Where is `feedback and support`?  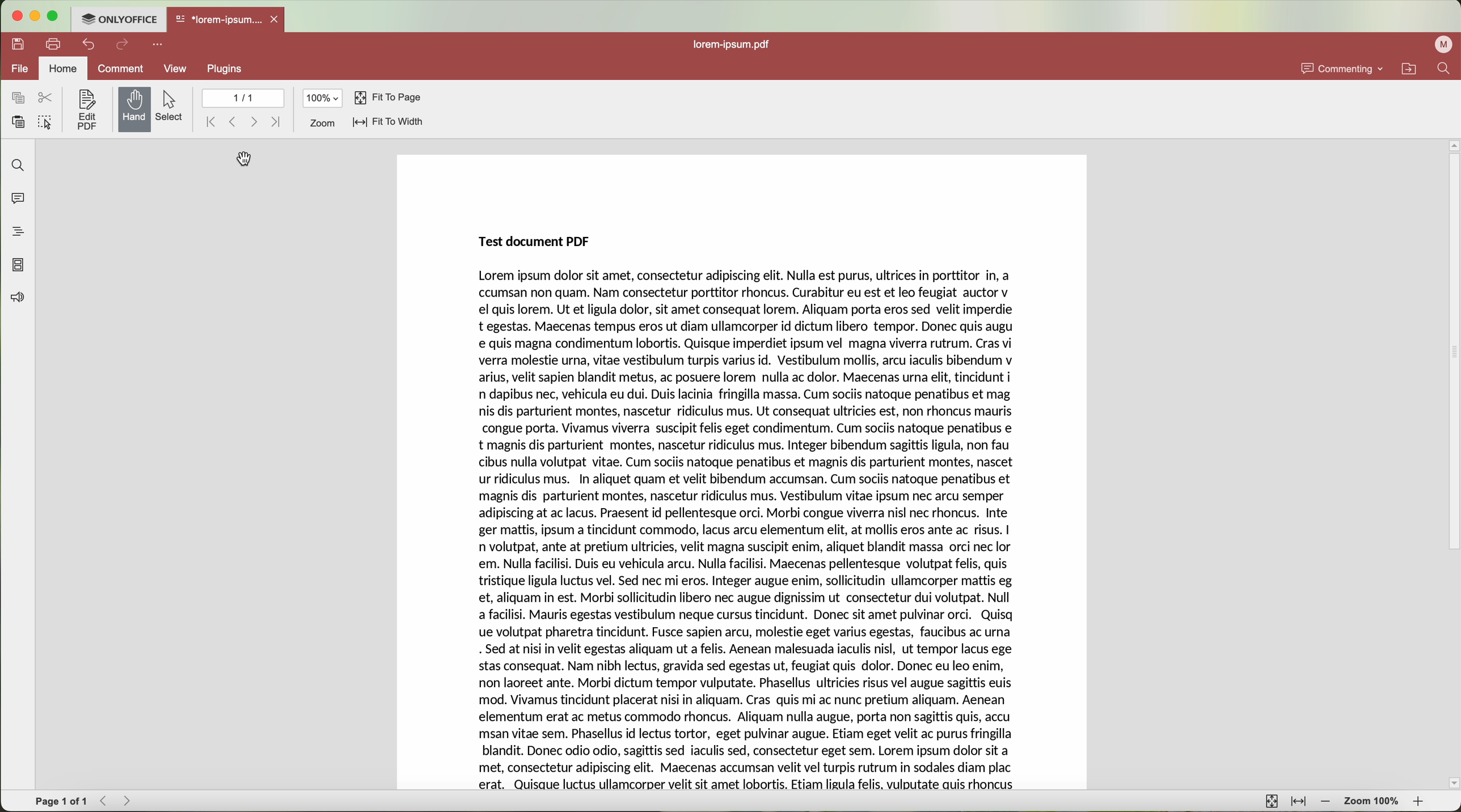
feedback and support is located at coordinates (15, 298).